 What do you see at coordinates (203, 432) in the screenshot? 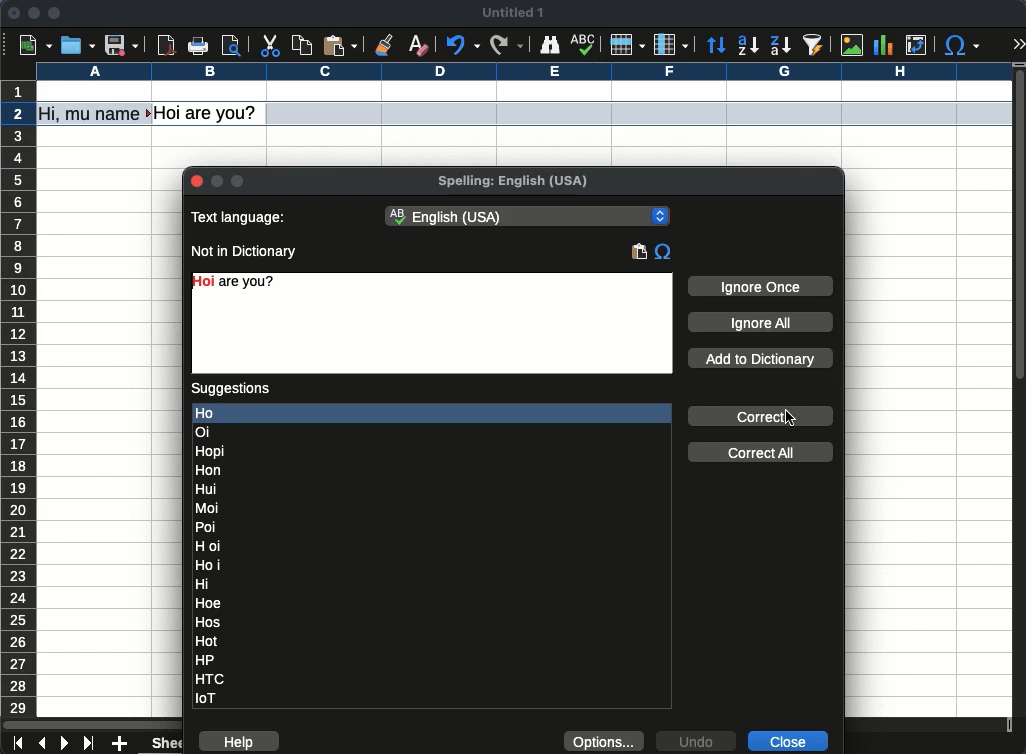
I see `Oi` at bounding box center [203, 432].